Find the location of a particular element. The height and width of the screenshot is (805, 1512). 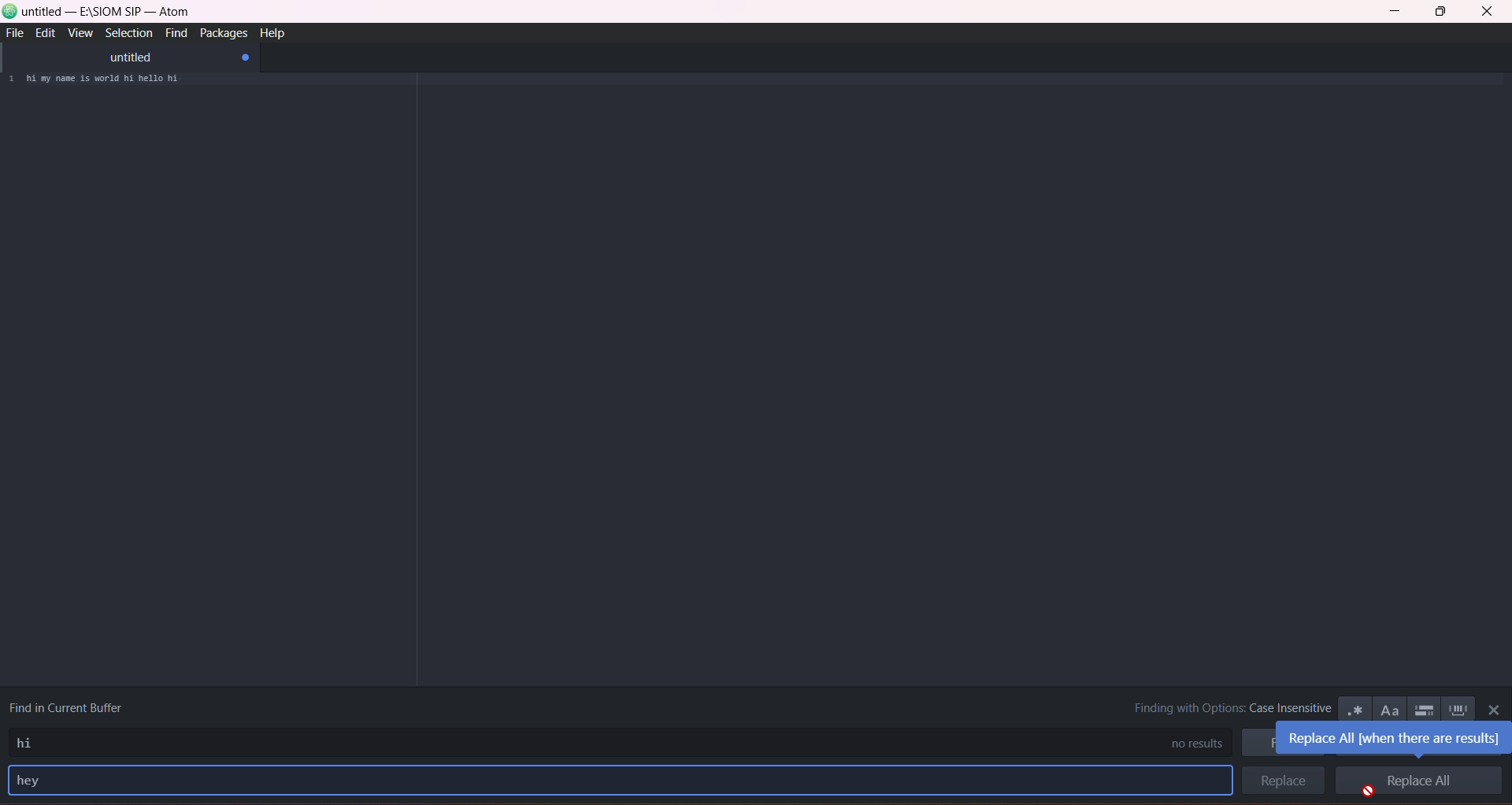

hi my name is world hi hello hi is located at coordinates (114, 81).